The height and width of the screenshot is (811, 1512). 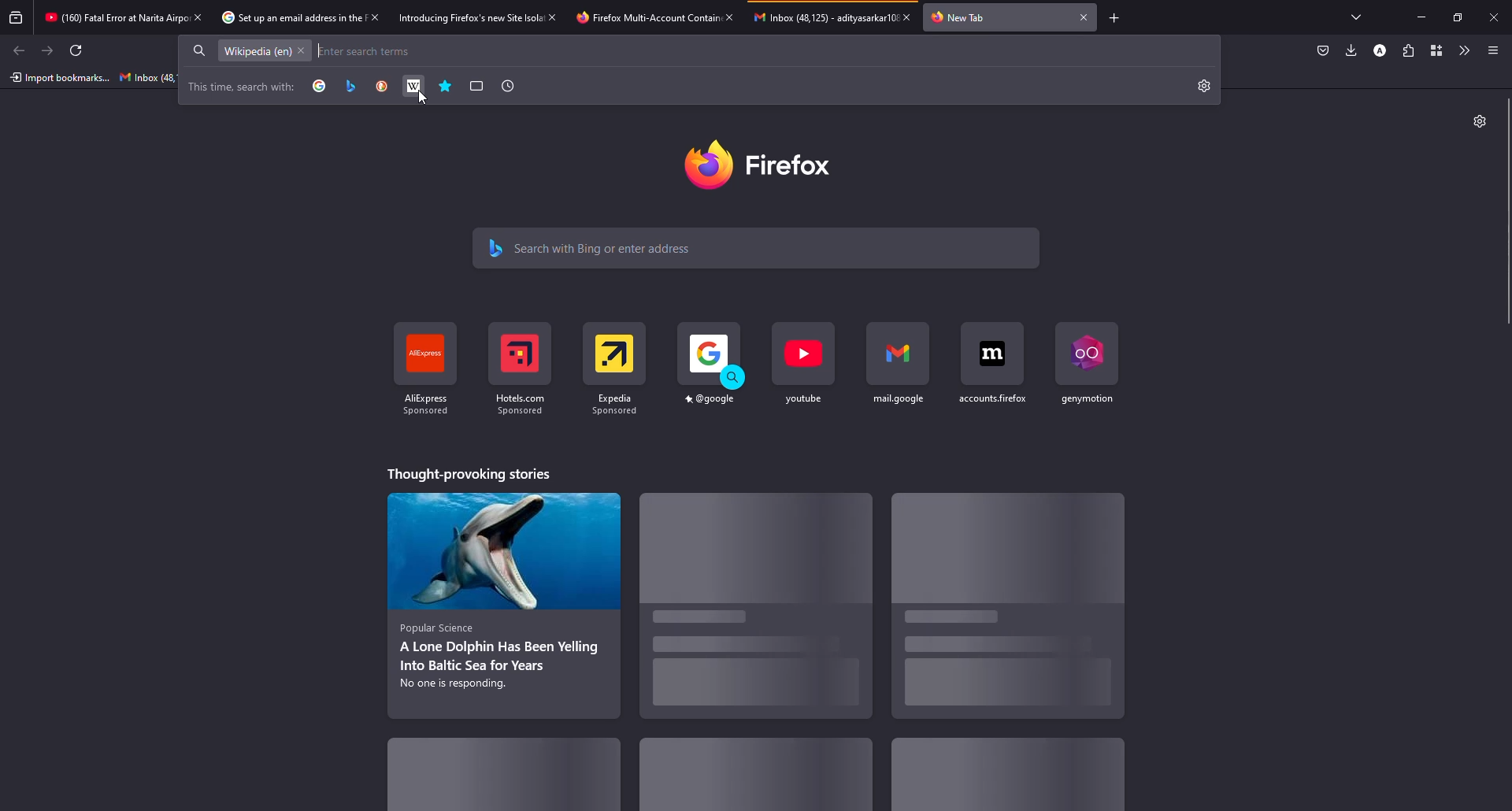 I want to click on stories, so click(x=502, y=604).